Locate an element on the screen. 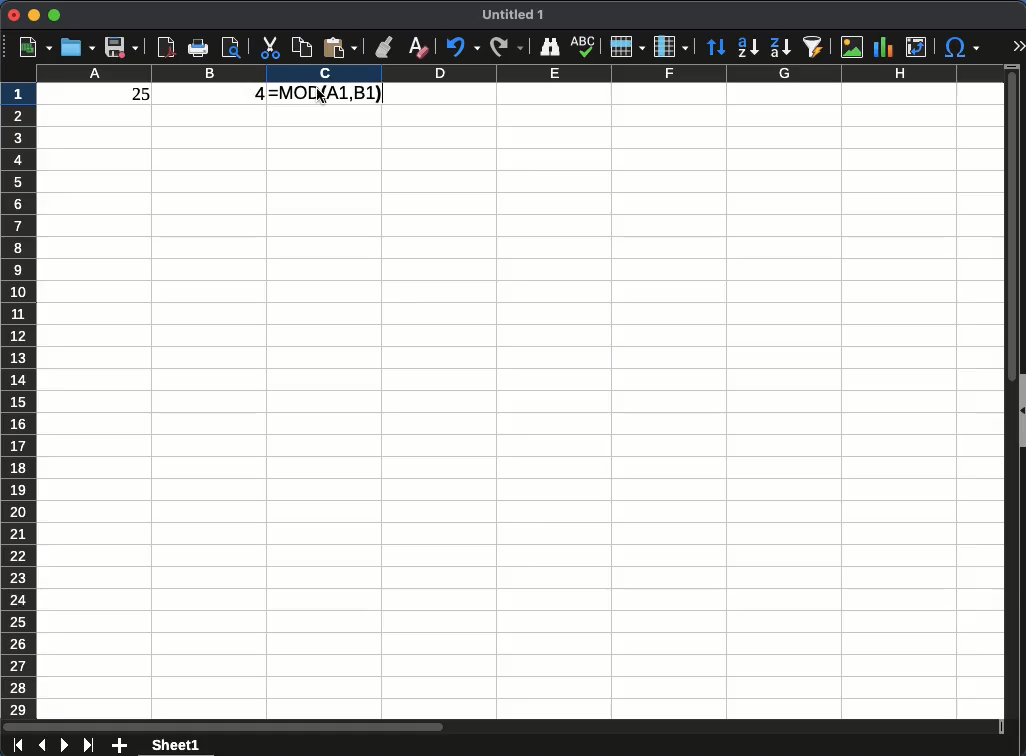 The height and width of the screenshot is (756, 1026). first sheet is located at coordinates (19, 745).